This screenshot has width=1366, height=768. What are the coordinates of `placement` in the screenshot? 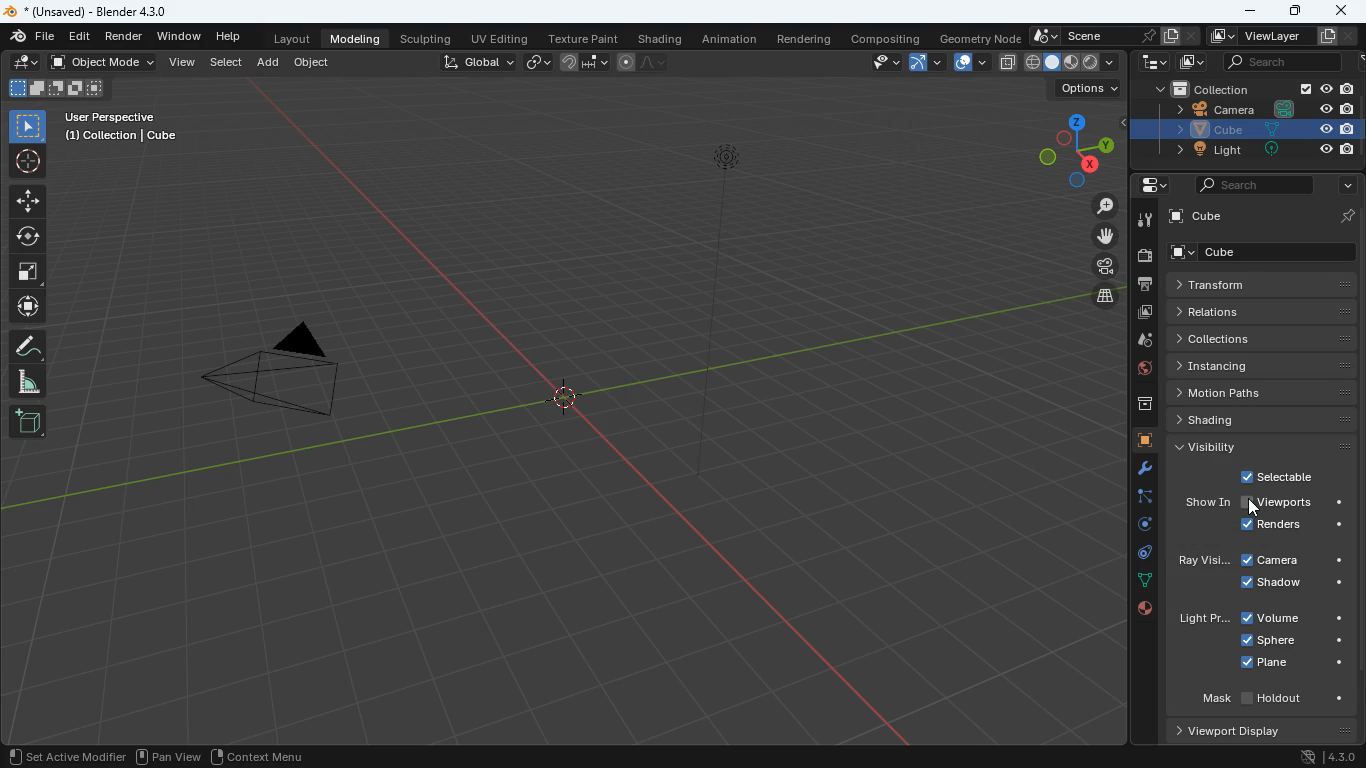 It's located at (1073, 63).